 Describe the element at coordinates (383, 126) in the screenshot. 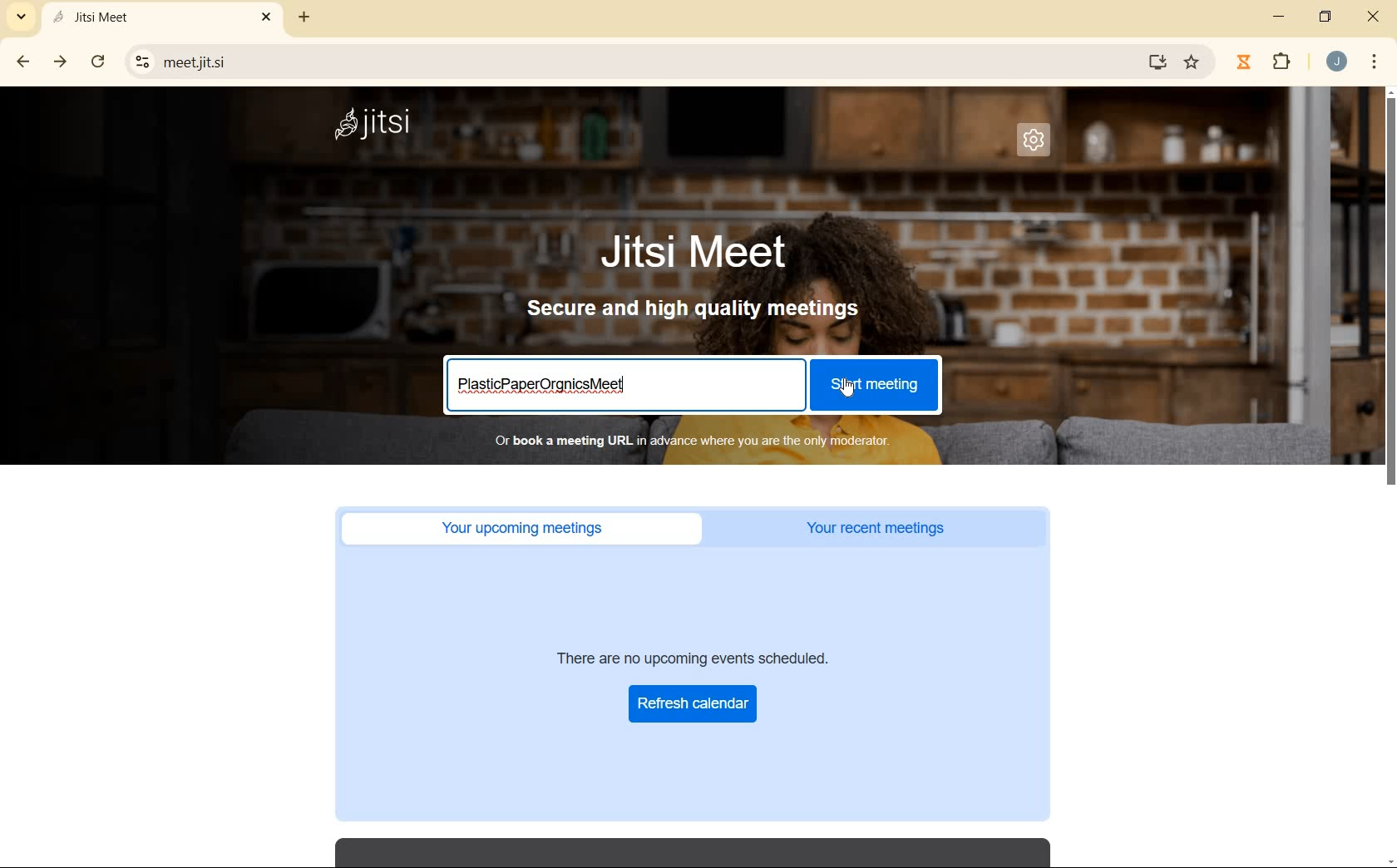

I see `system name` at that location.